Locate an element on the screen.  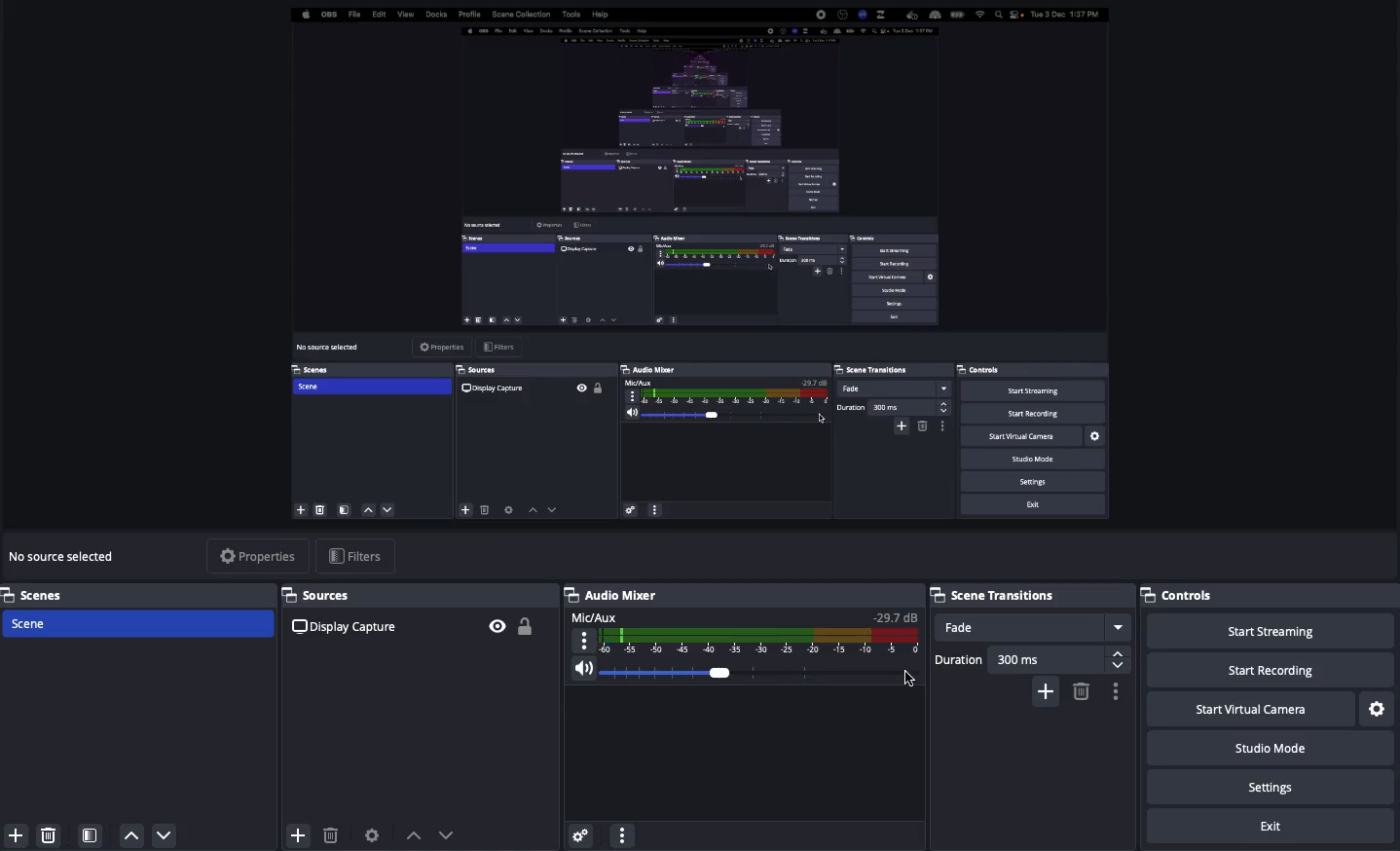
Start streaming is located at coordinates (1270, 632).